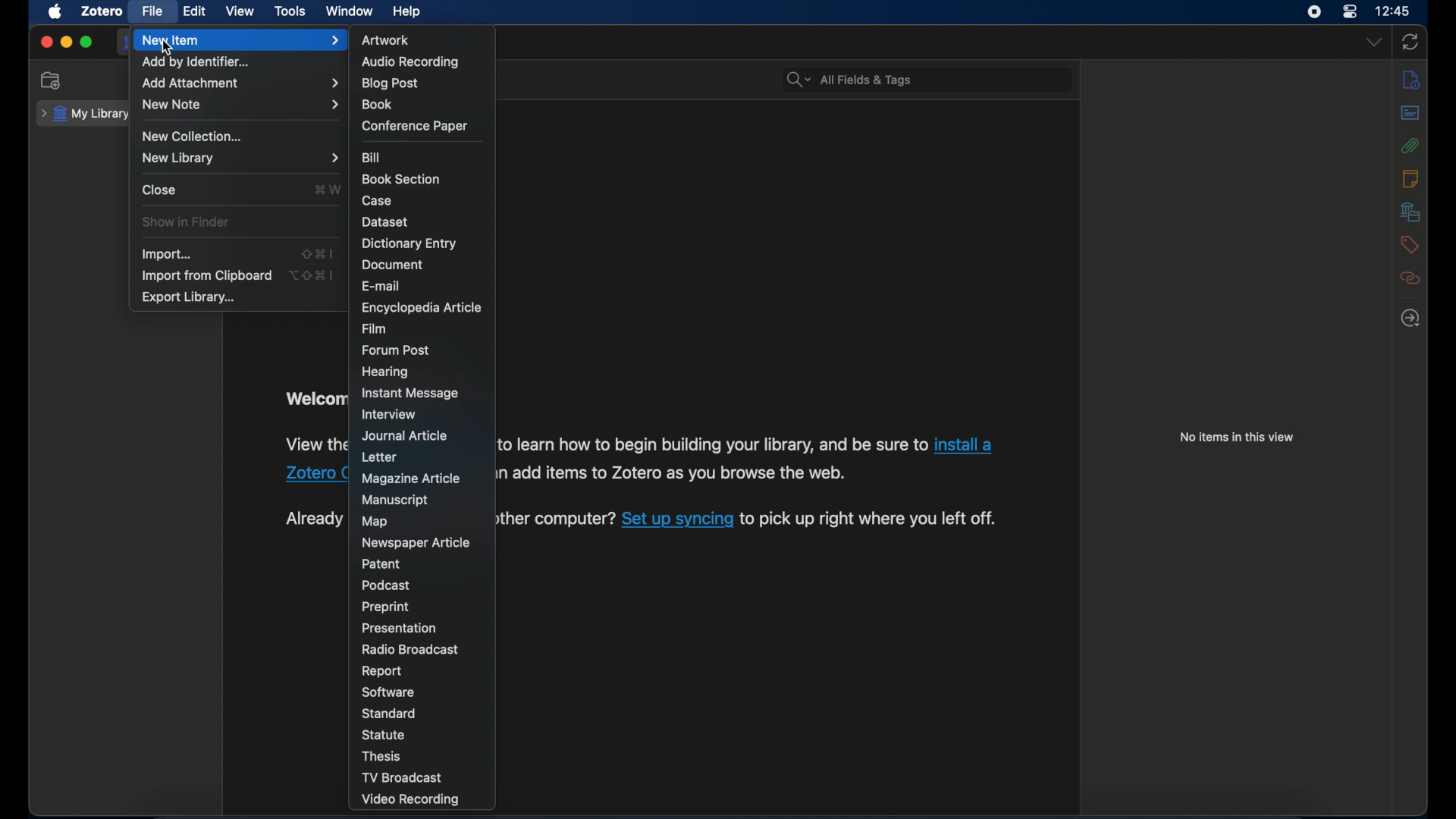 This screenshot has width=1456, height=819. What do you see at coordinates (154, 11) in the screenshot?
I see `file` at bounding box center [154, 11].